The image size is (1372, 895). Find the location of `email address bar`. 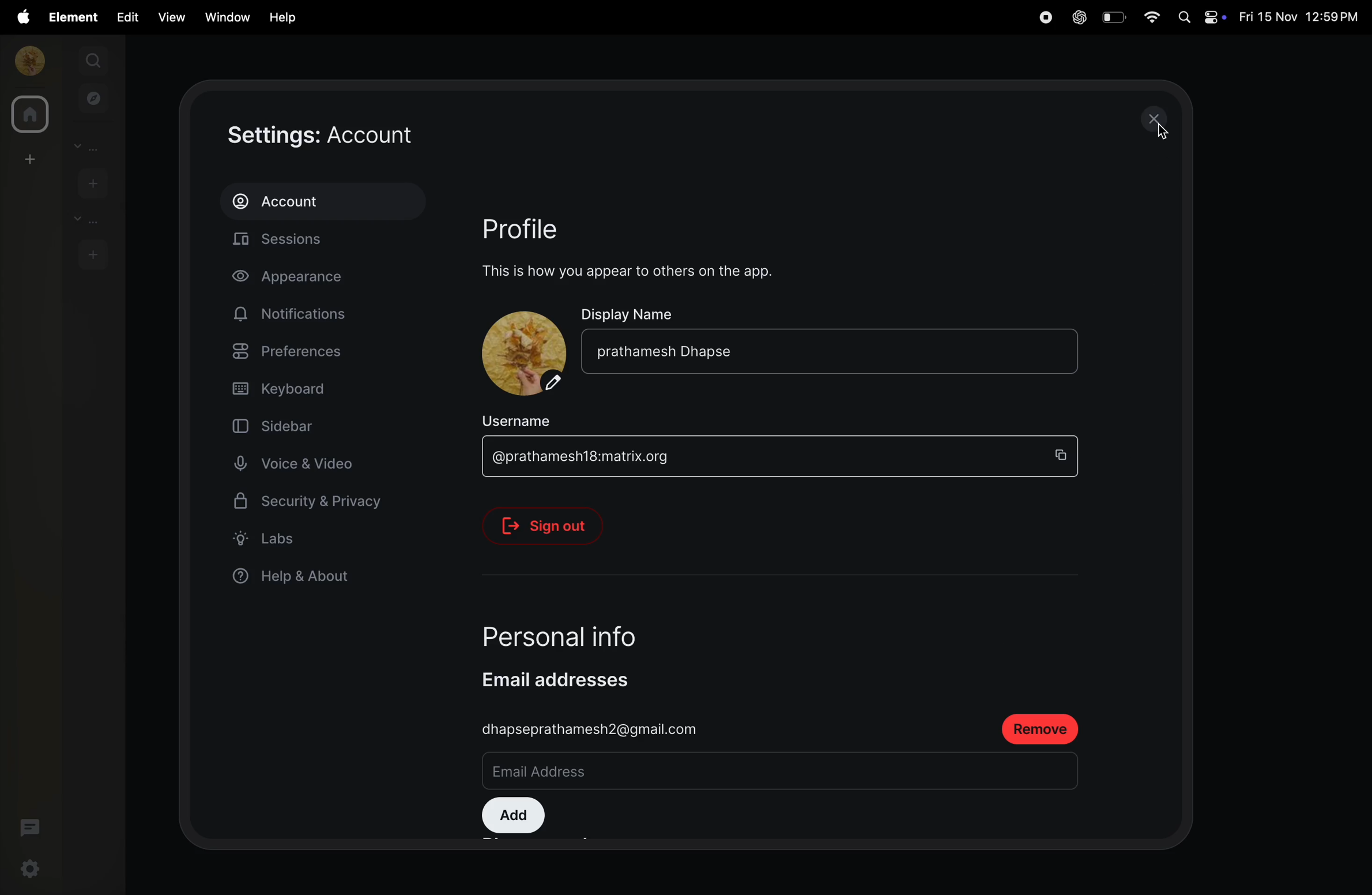

email address bar is located at coordinates (642, 773).